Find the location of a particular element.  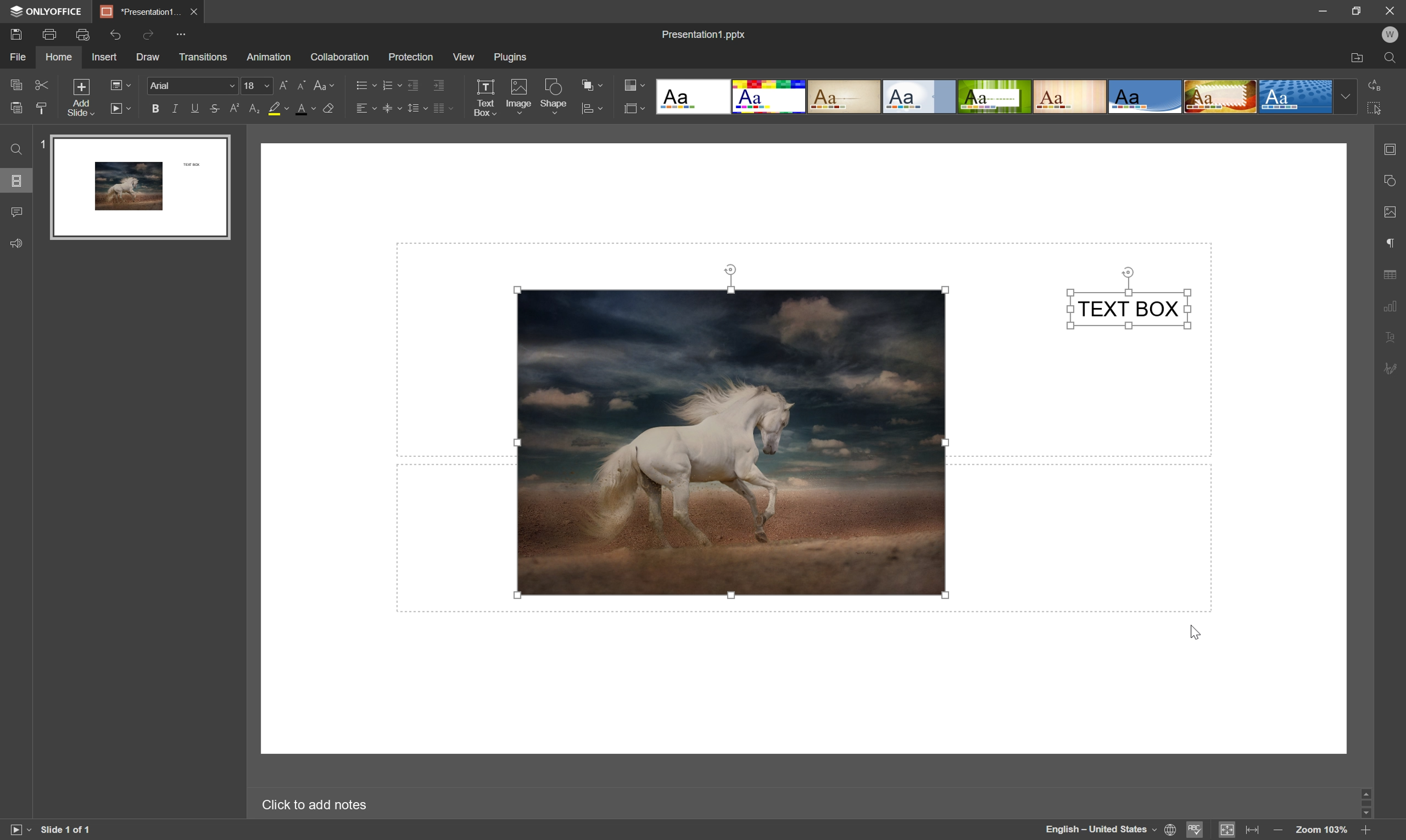

print preview is located at coordinates (83, 33).